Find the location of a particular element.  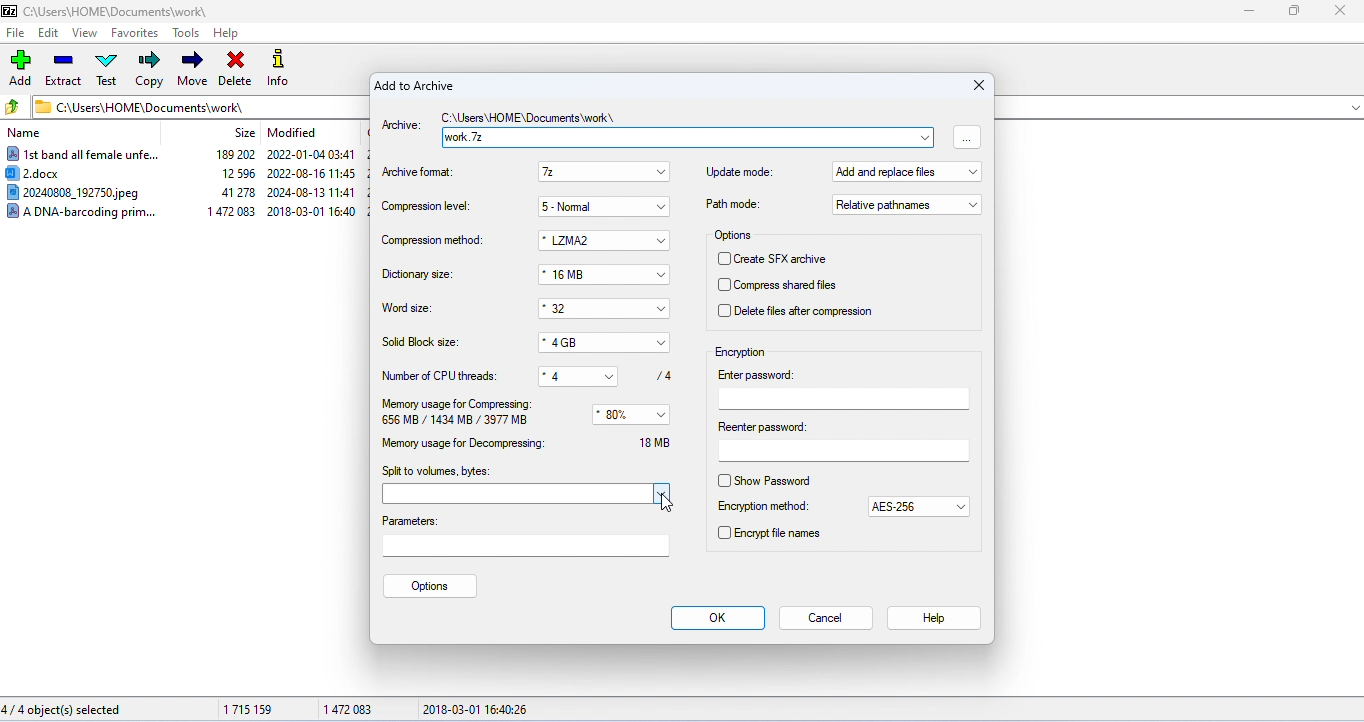

* 4GB is located at coordinates (592, 343).